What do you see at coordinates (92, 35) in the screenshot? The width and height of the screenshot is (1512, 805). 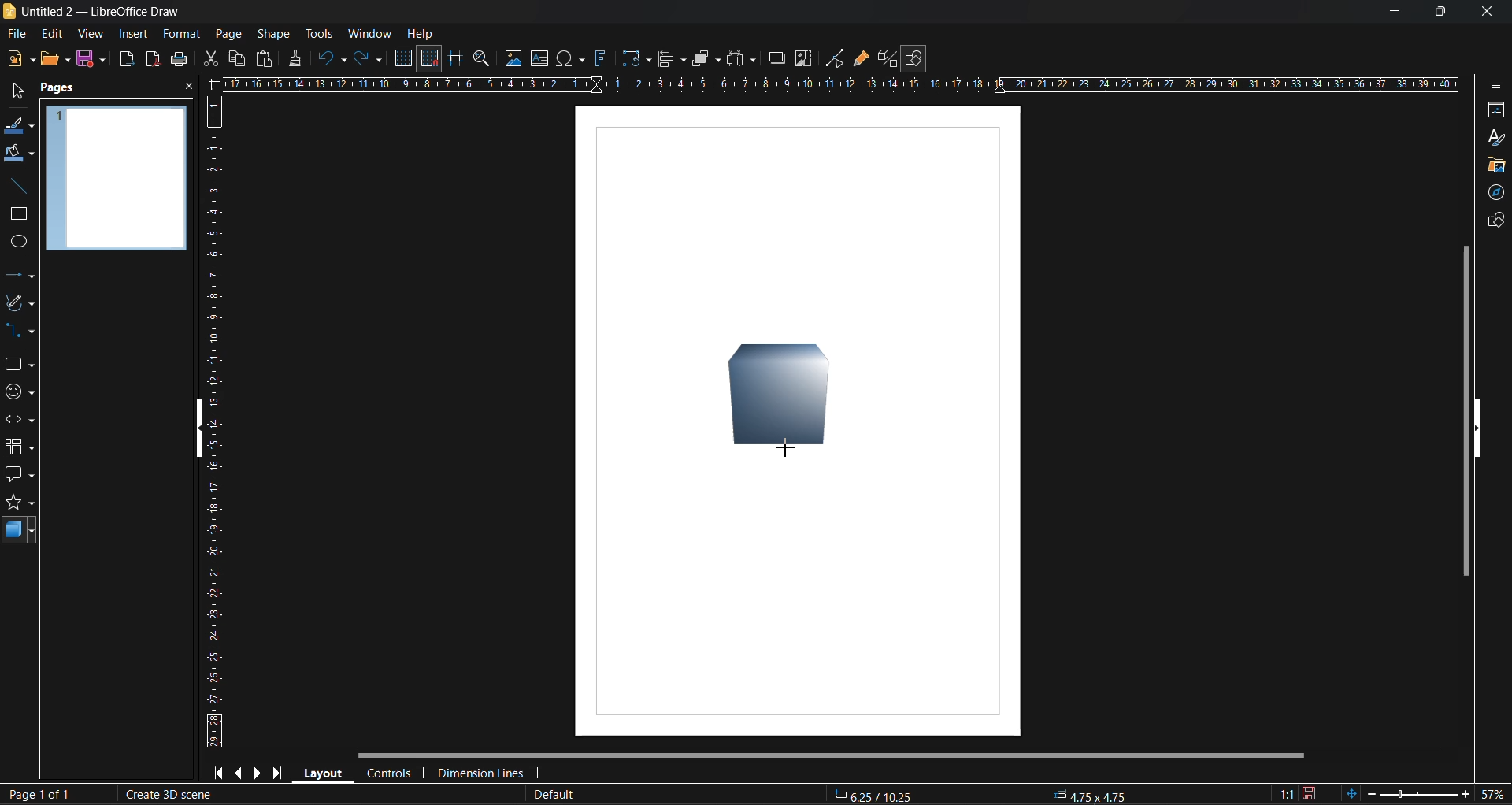 I see `view` at bounding box center [92, 35].